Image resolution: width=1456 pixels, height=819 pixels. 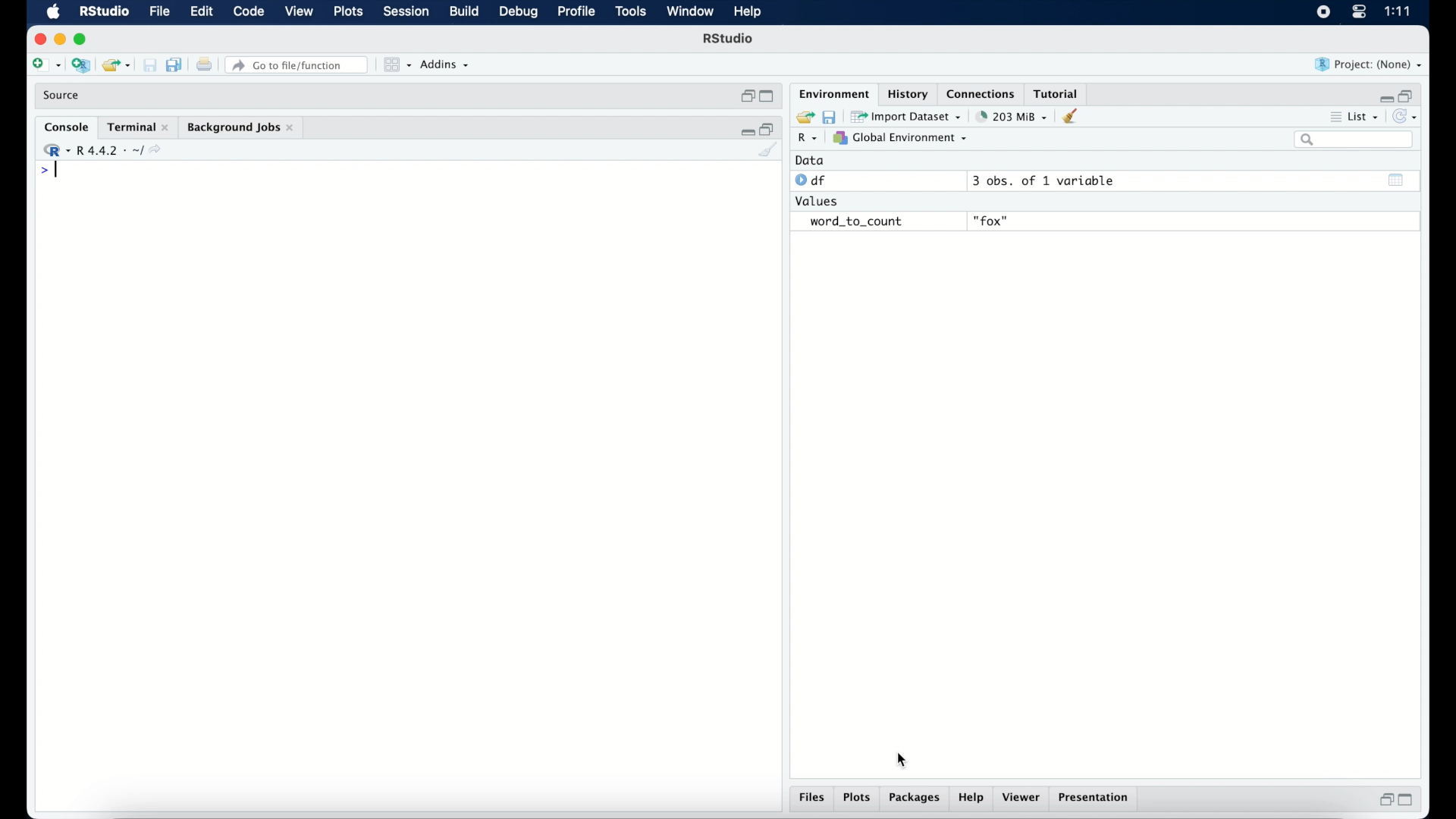 I want to click on files, so click(x=814, y=798).